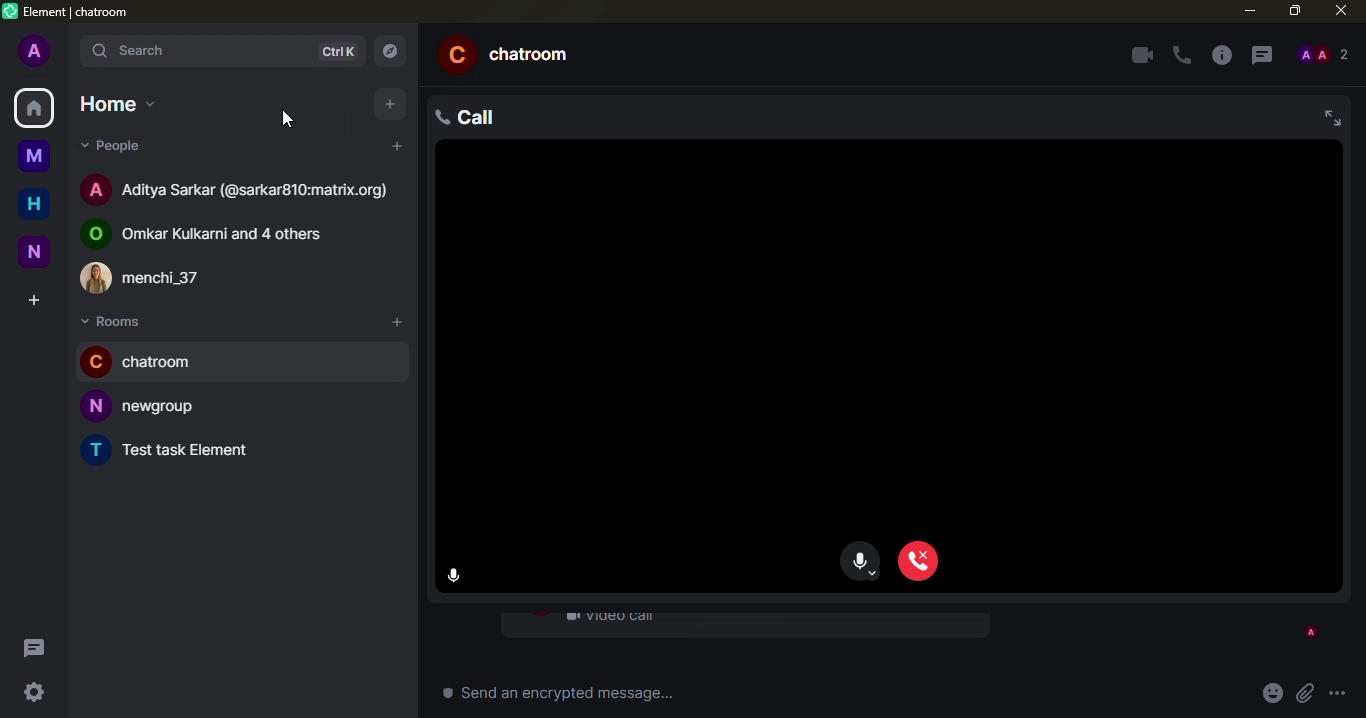  What do you see at coordinates (117, 104) in the screenshot?
I see `home` at bounding box center [117, 104].